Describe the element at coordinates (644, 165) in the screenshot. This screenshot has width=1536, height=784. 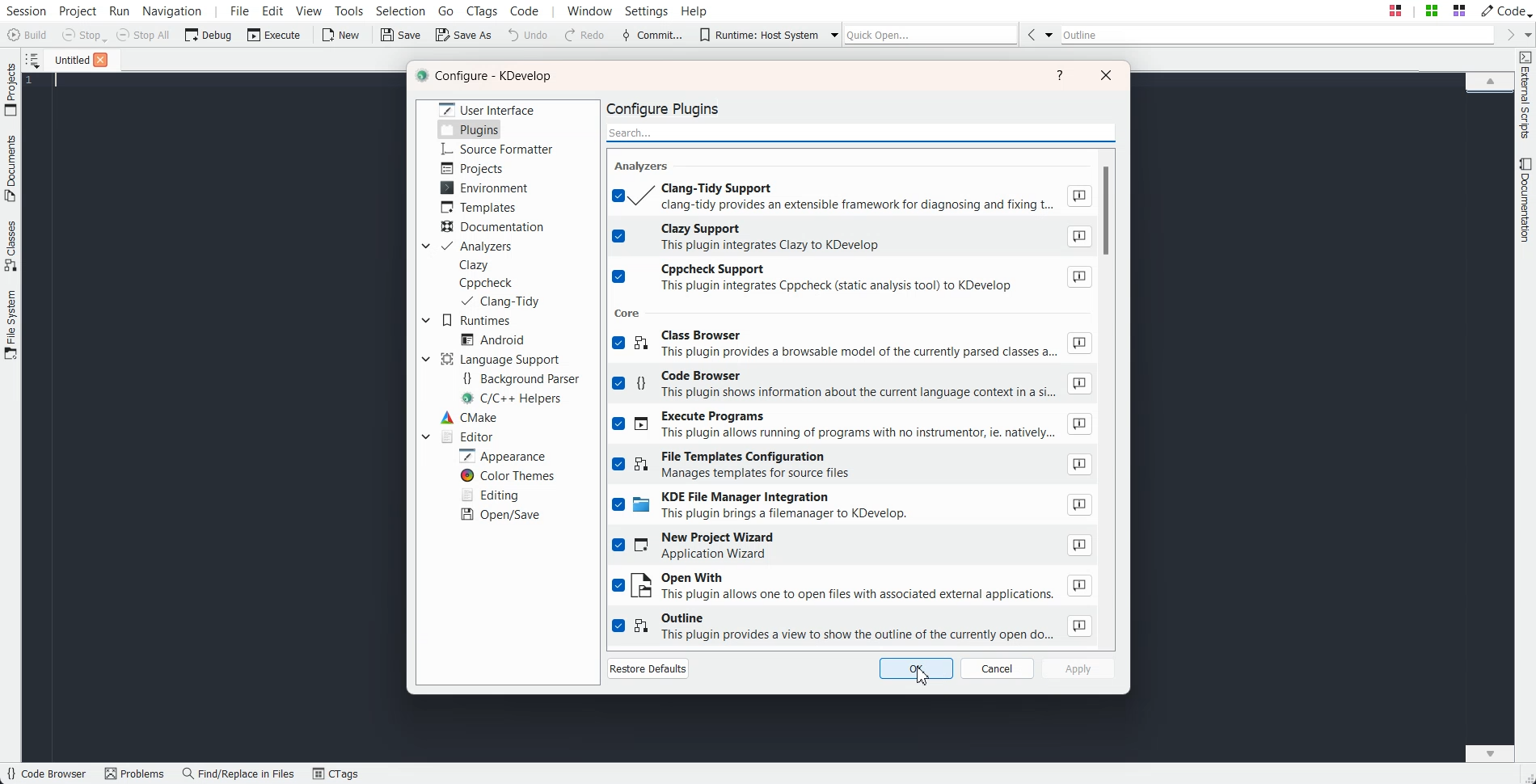
I see `Text` at that location.